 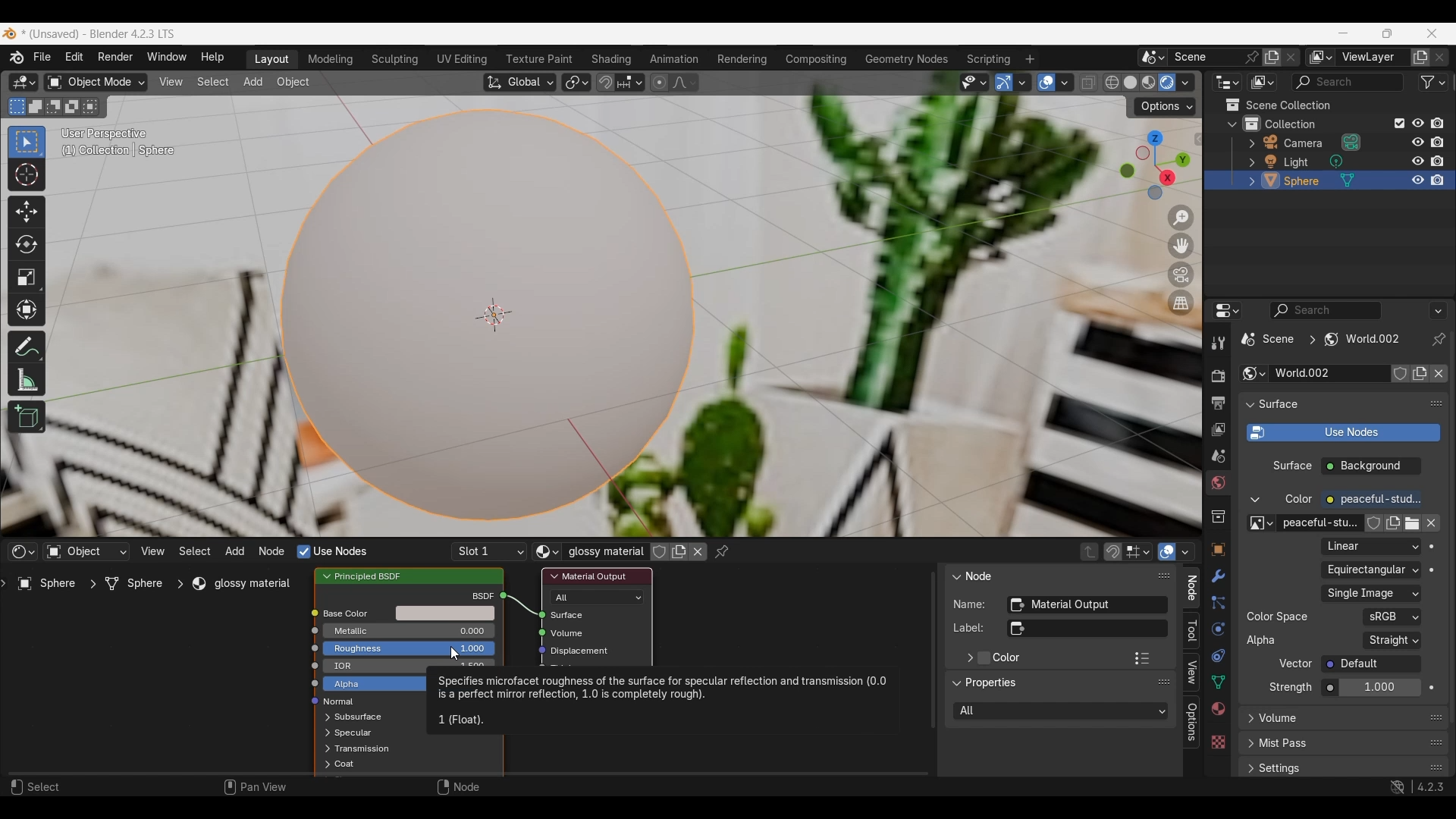 What do you see at coordinates (974, 83) in the screenshot?
I see `Selectability and visibility options` at bounding box center [974, 83].